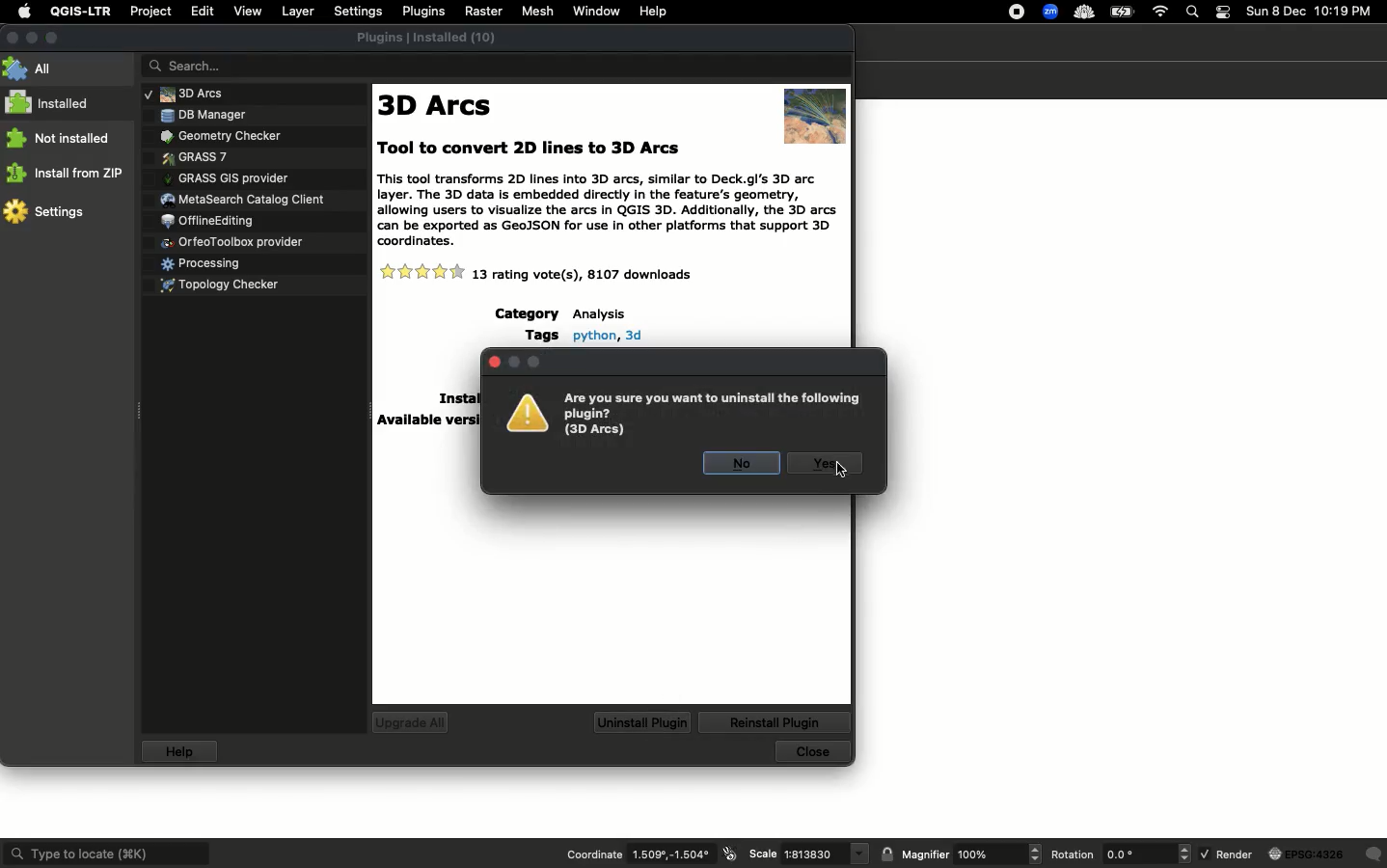  I want to click on Upgrade, so click(410, 723).